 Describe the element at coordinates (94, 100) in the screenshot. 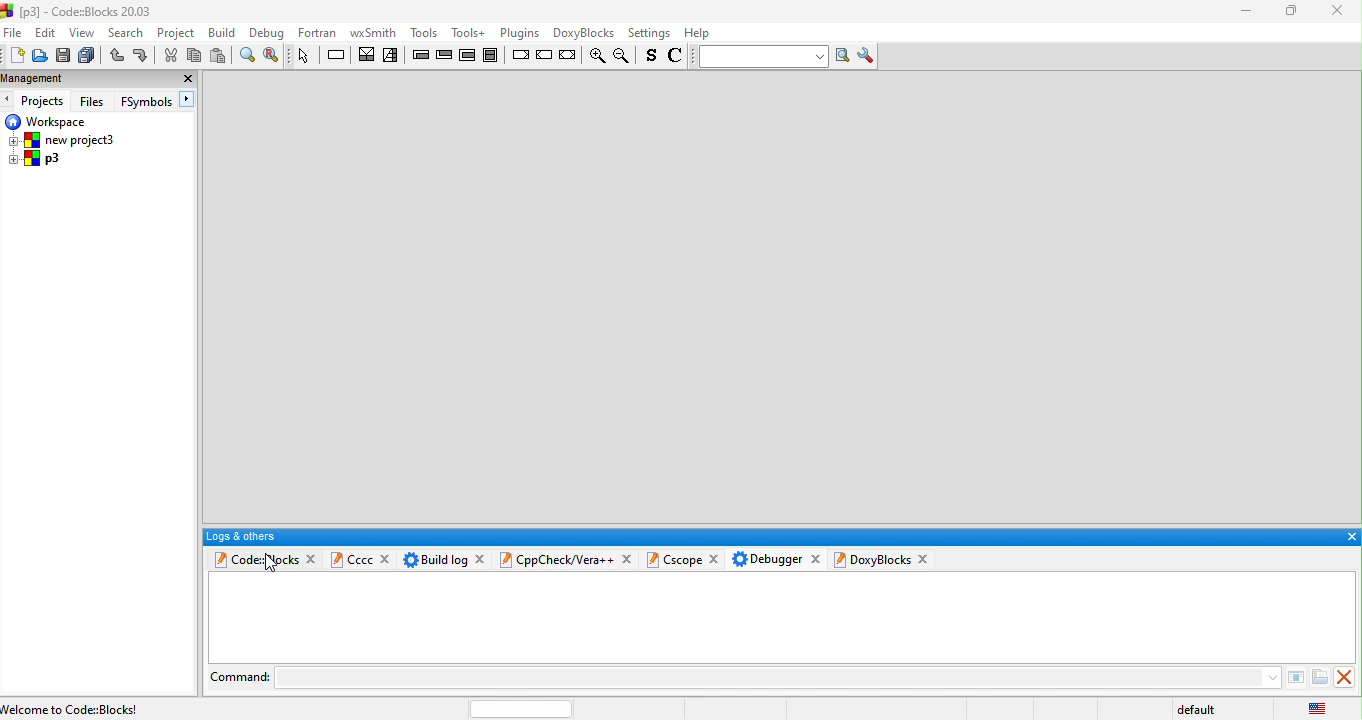

I see `files` at that location.